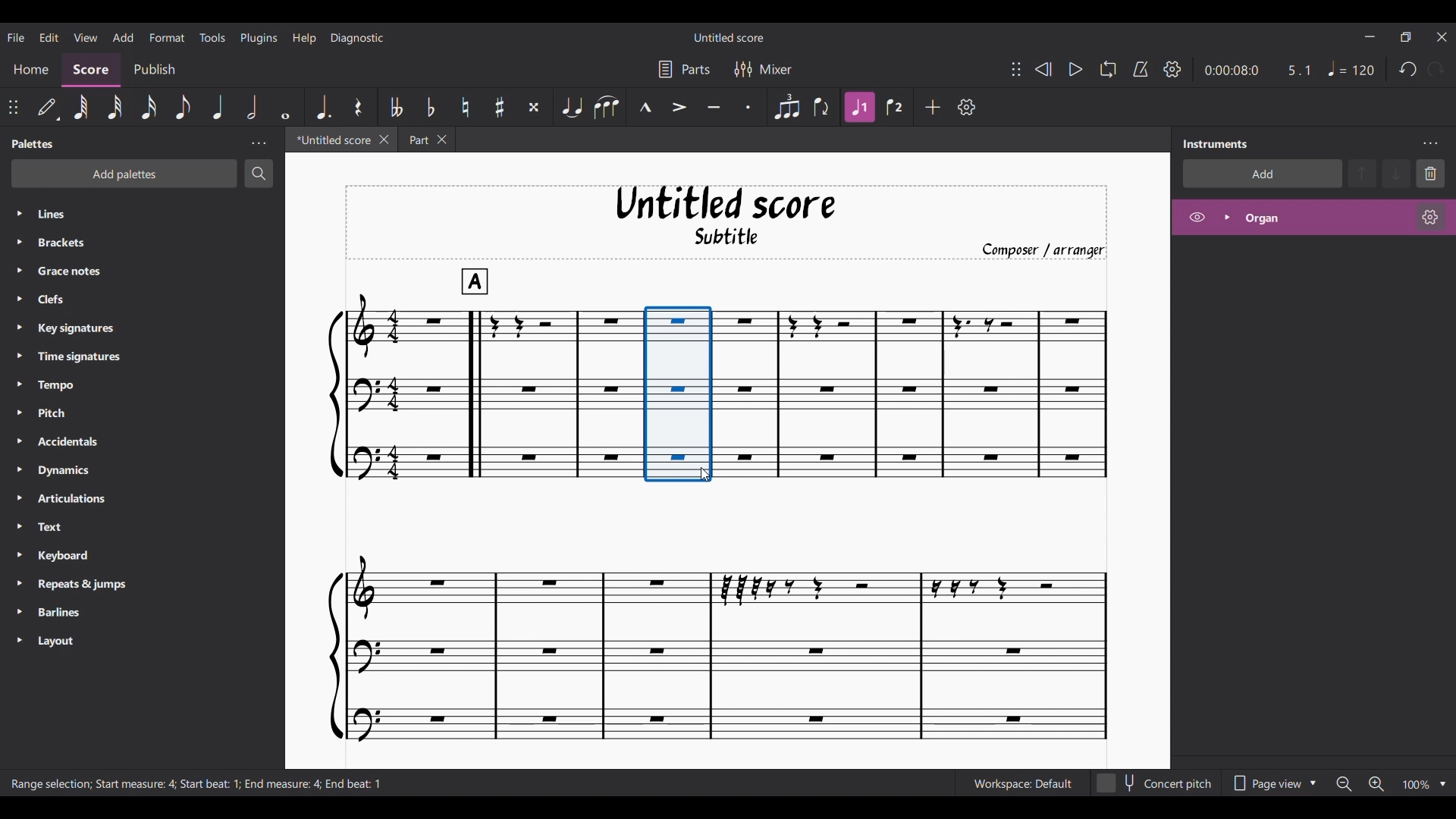 This screenshot has width=1456, height=819. What do you see at coordinates (1407, 70) in the screenshot?
I see `Undo` at bounding box center [1407, 70].